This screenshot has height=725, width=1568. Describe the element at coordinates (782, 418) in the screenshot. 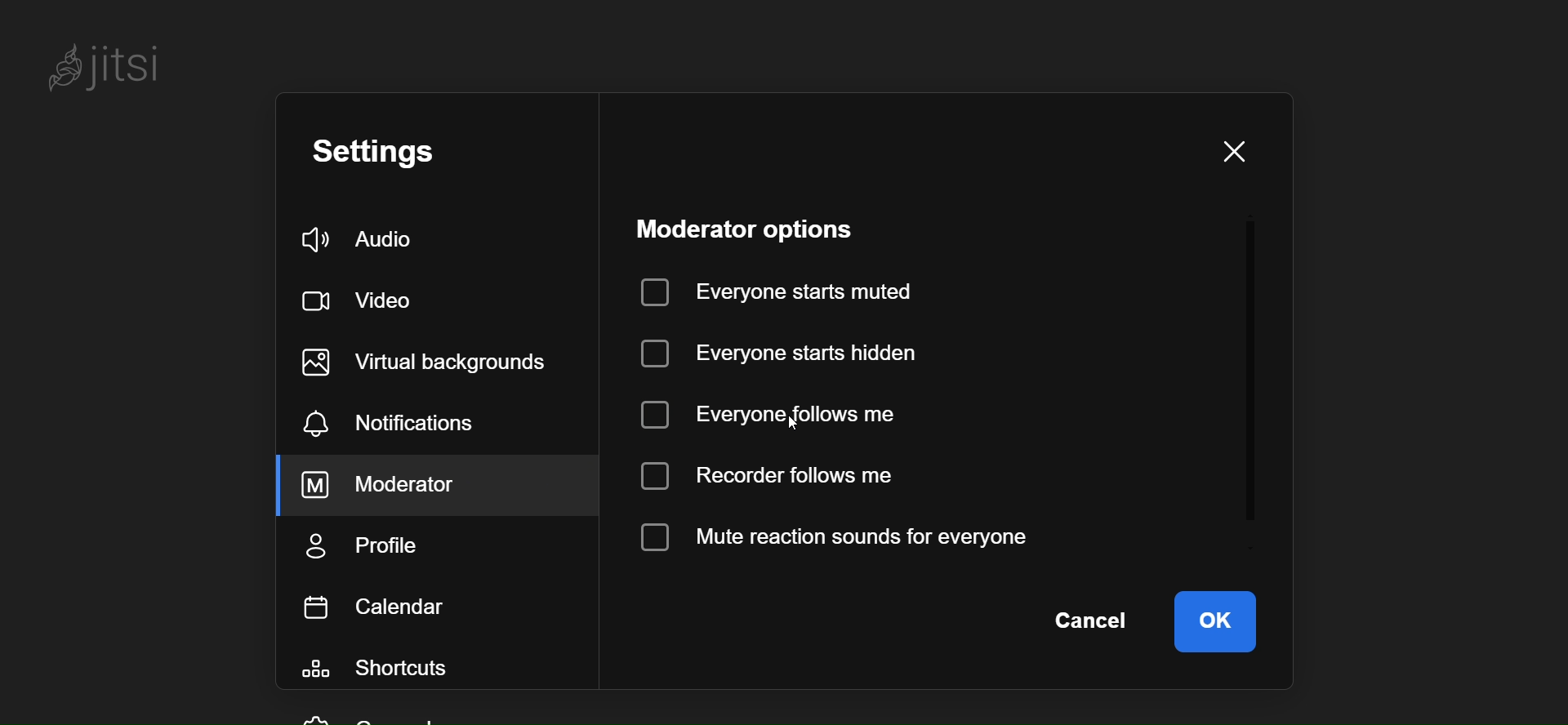

I see `cursor` at that location.